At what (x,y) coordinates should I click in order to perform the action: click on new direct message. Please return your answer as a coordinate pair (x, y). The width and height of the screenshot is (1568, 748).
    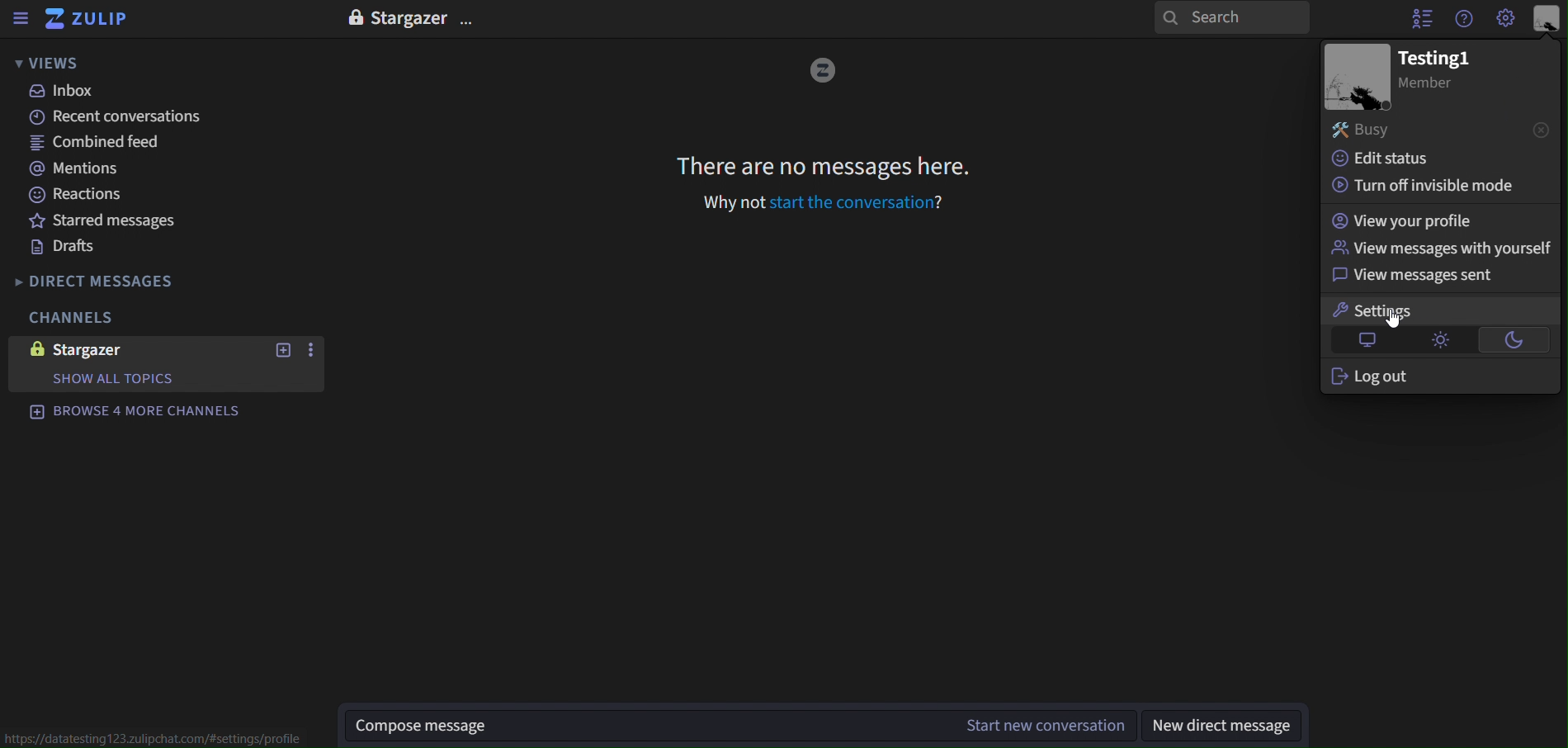
    Looking at the image, I should click on (1221, 724).